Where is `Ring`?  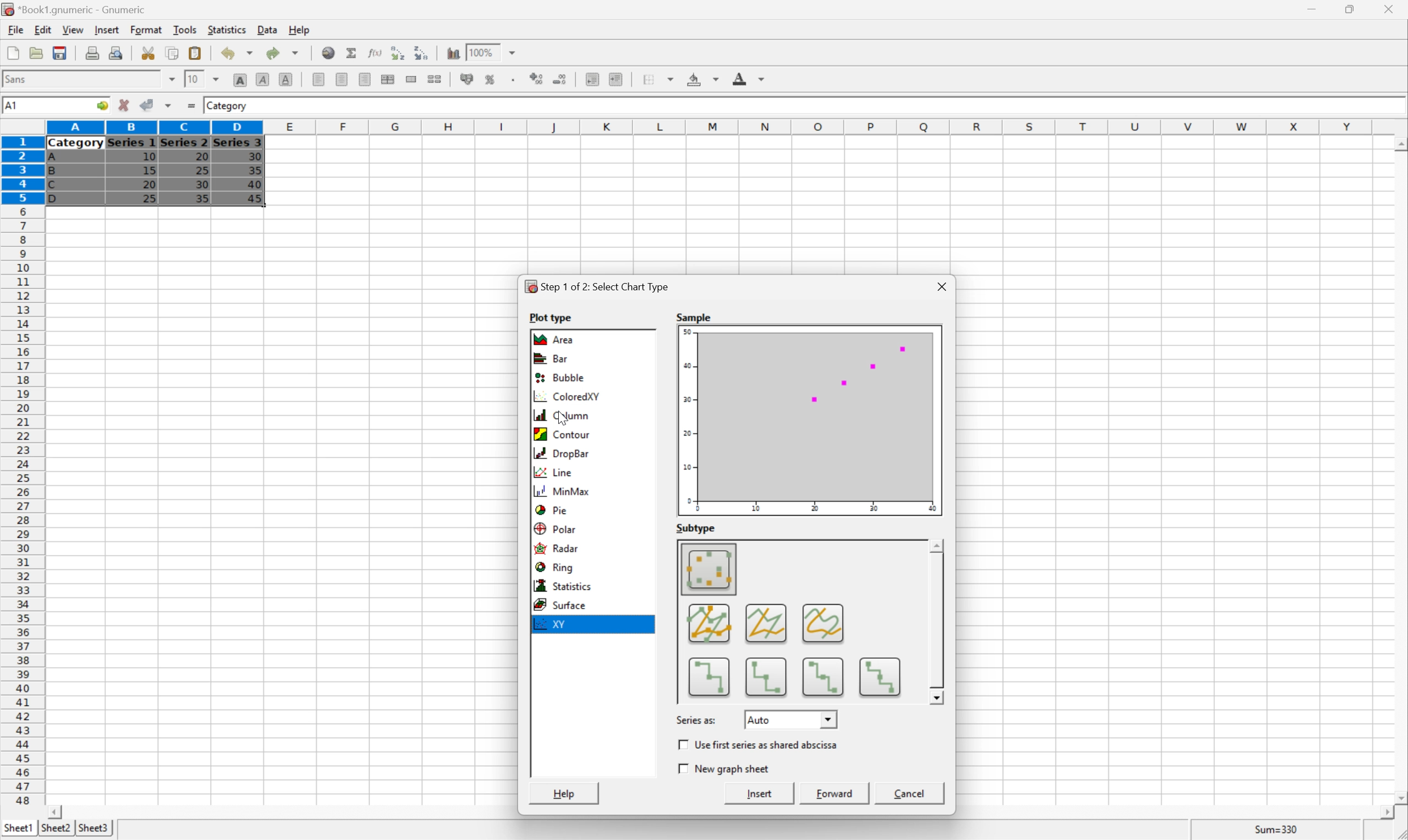 Ring is located at coordinates (558, 568).